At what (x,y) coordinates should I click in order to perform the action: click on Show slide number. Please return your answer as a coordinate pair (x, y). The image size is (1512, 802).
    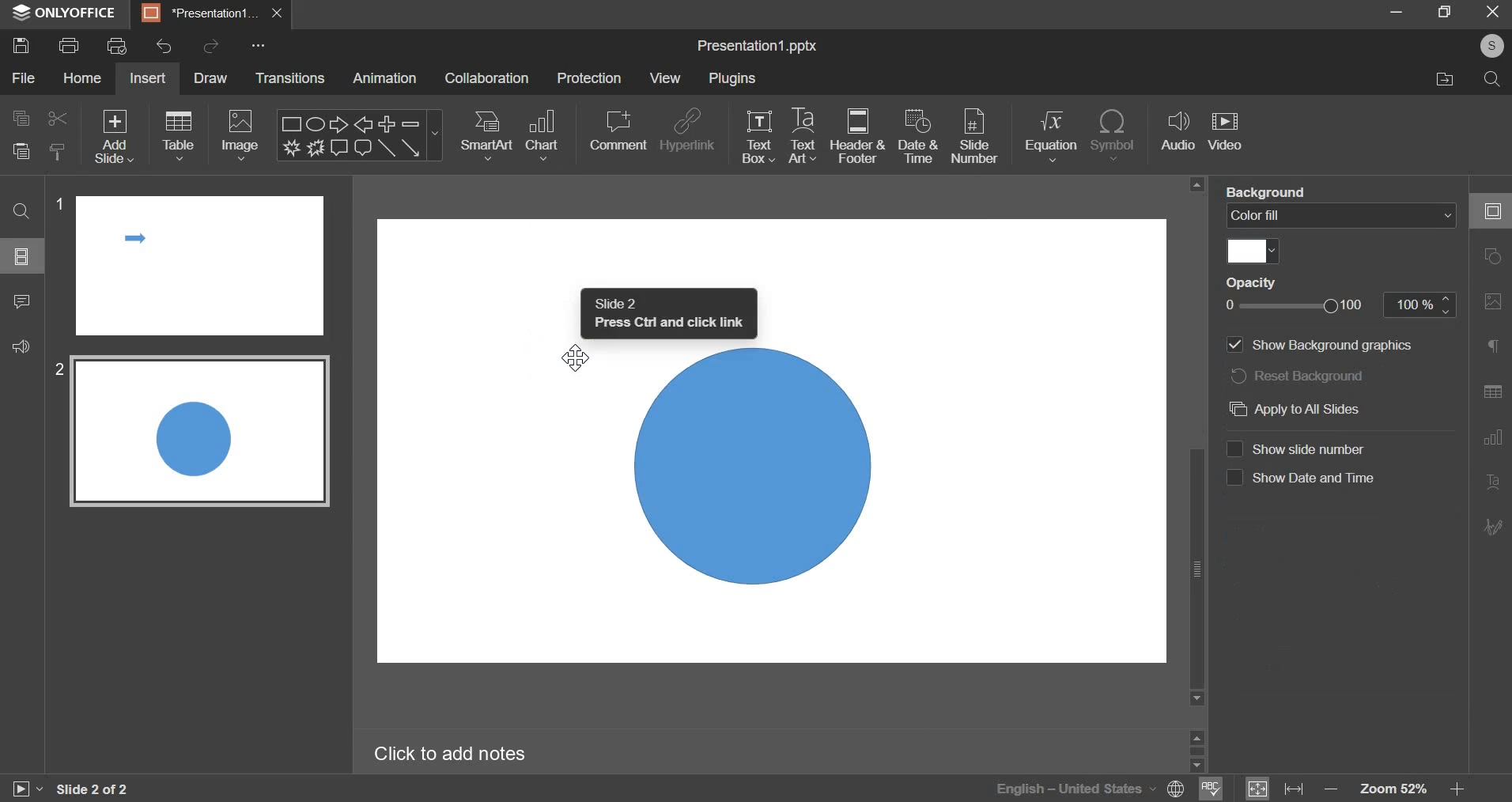
    Looking at the image, I should click on (1307, 449).